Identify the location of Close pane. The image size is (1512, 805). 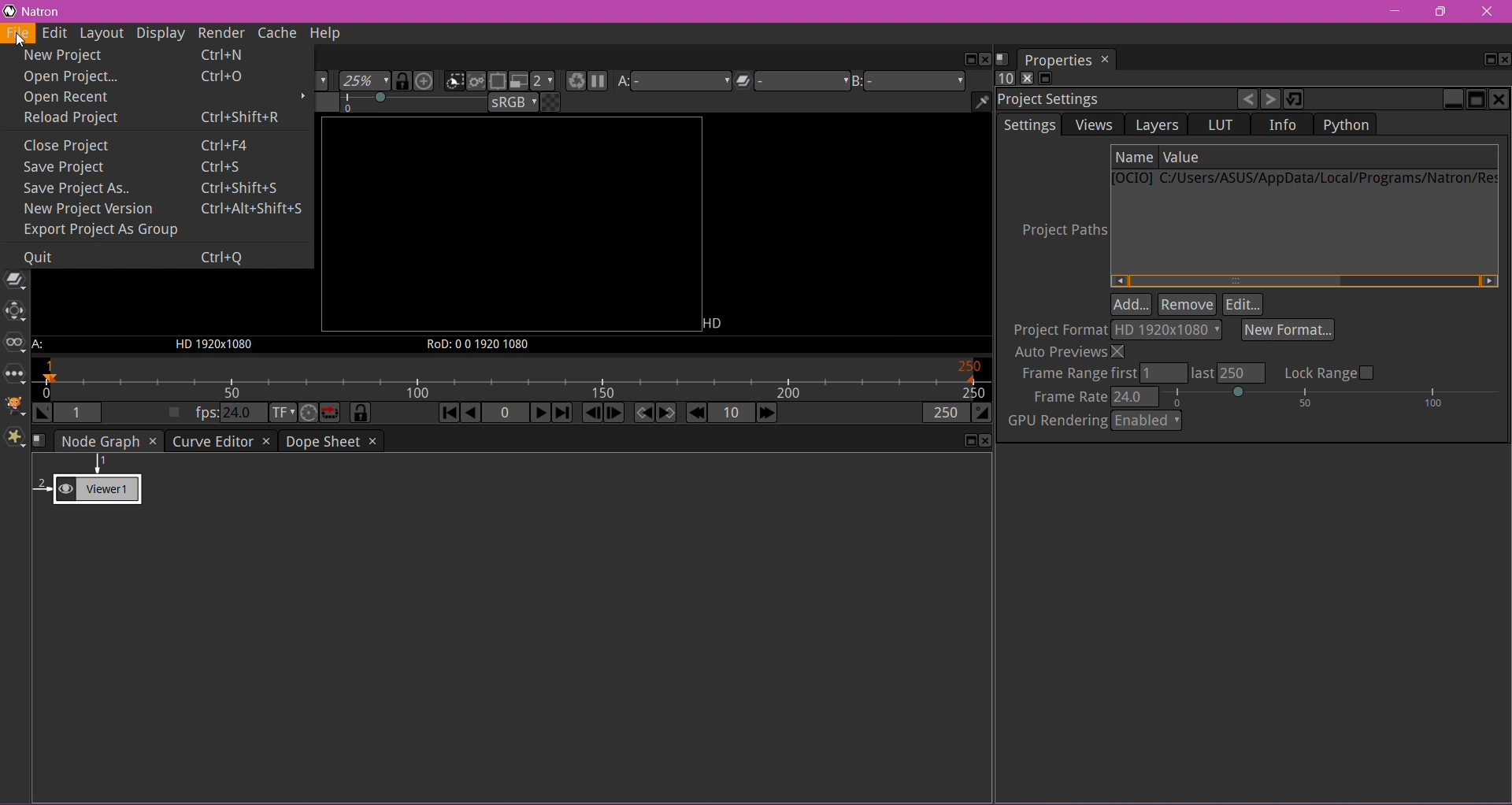
(988, 441).